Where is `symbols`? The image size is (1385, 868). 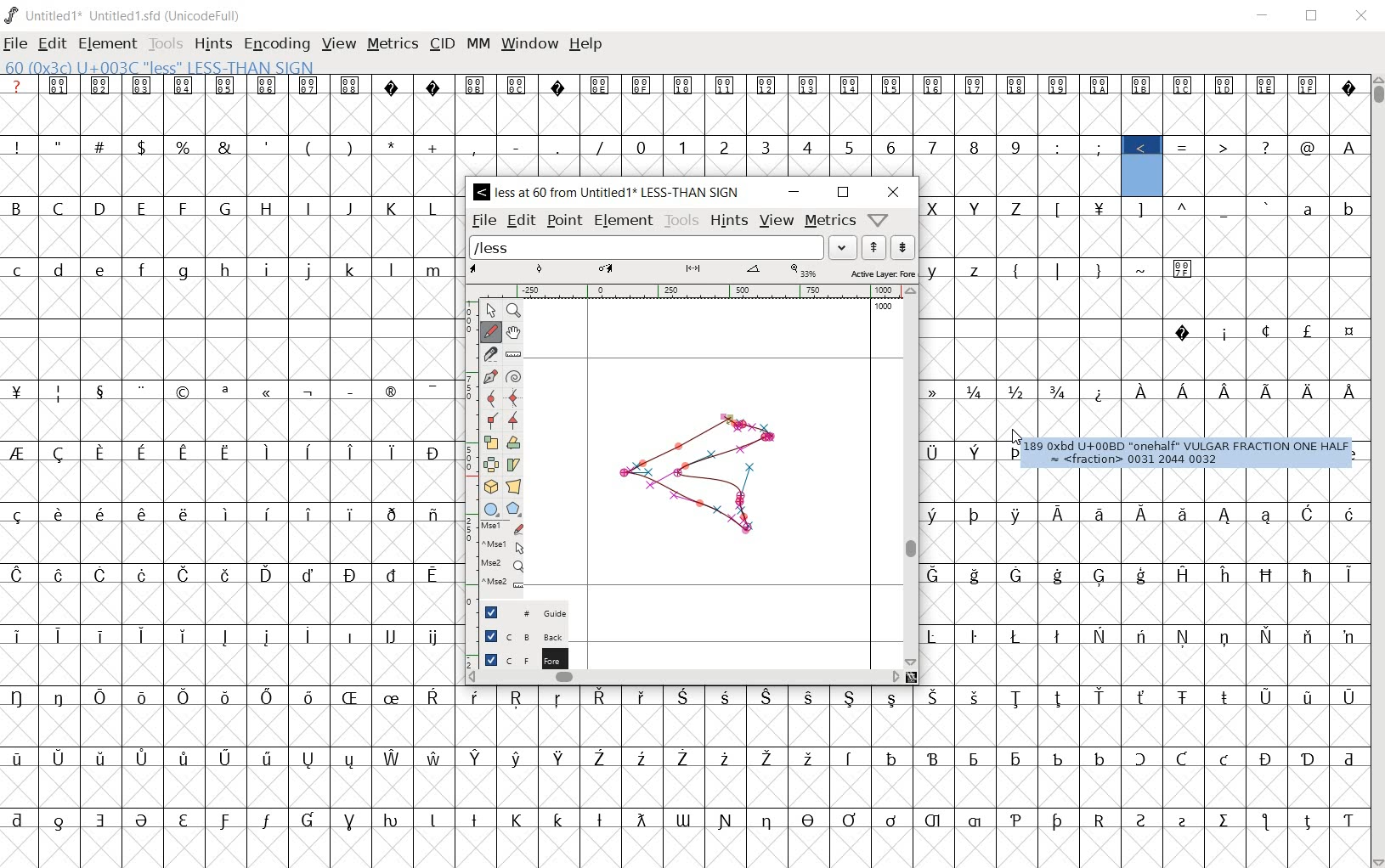 symbols is located at coordinates (1185, 144).